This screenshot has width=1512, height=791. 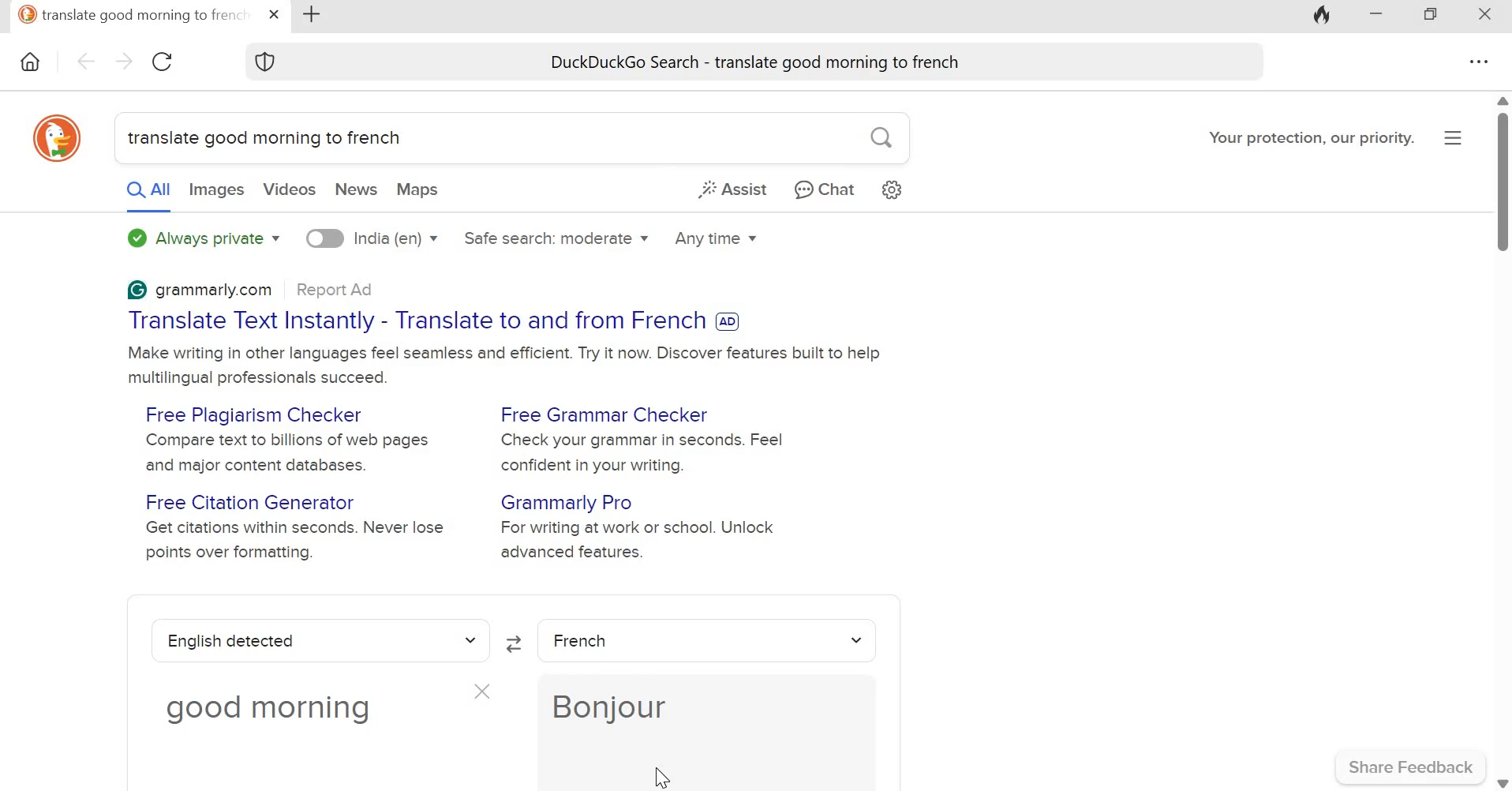 I want to click on Go back one page, so click(x=82, y=63).